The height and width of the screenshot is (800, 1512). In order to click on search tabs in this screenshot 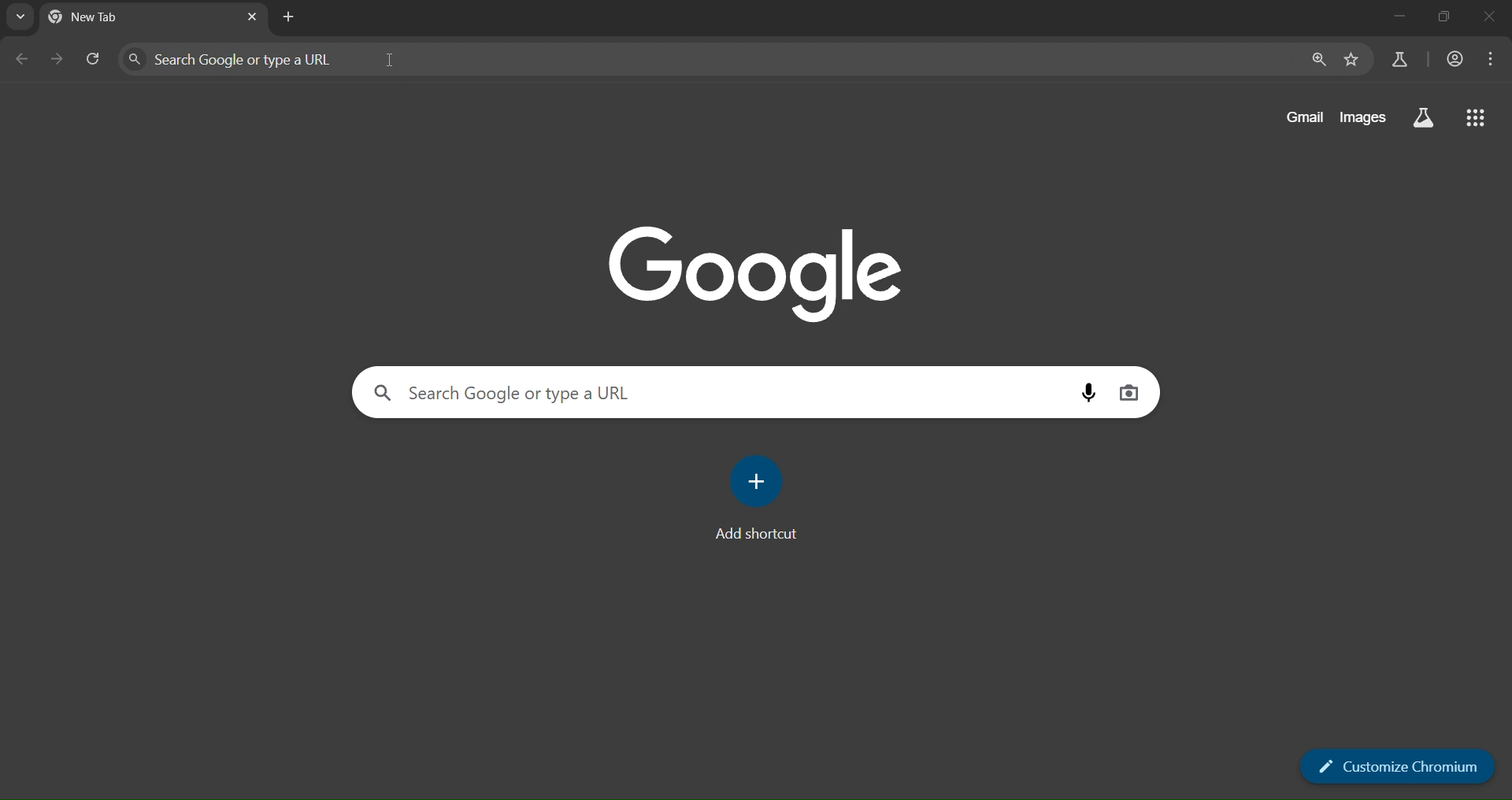, I will do `click(23, 18)`.